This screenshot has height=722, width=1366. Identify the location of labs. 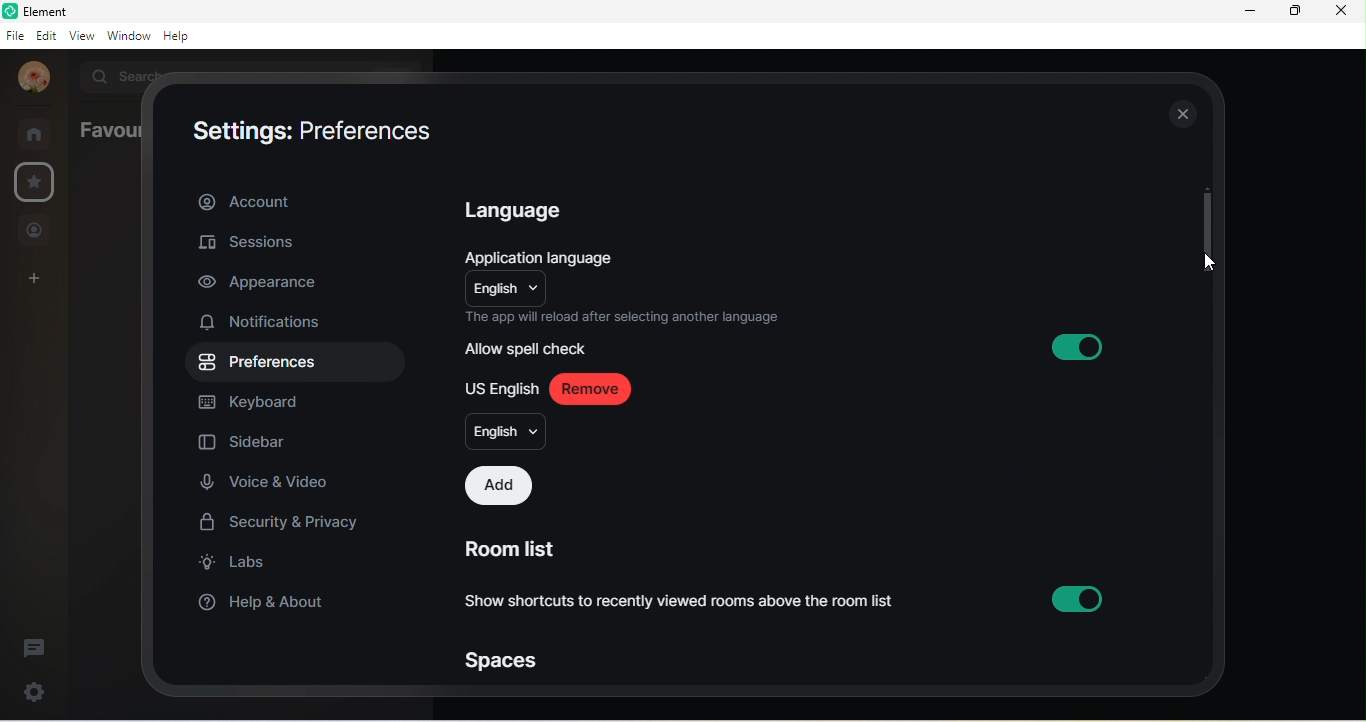
(244, 567).